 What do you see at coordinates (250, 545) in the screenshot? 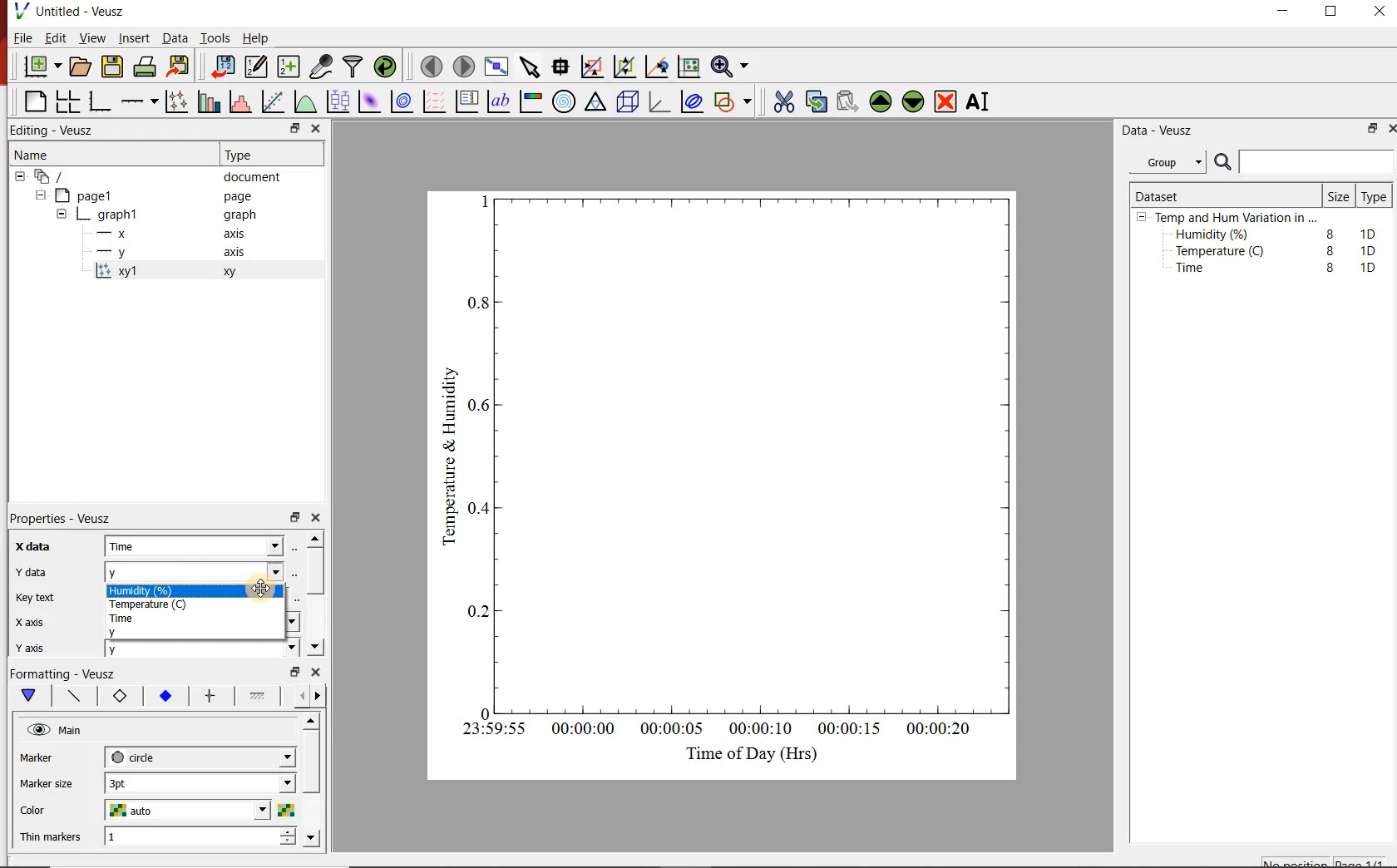
I see `x data dropdown` at bounding box center [250, 545].